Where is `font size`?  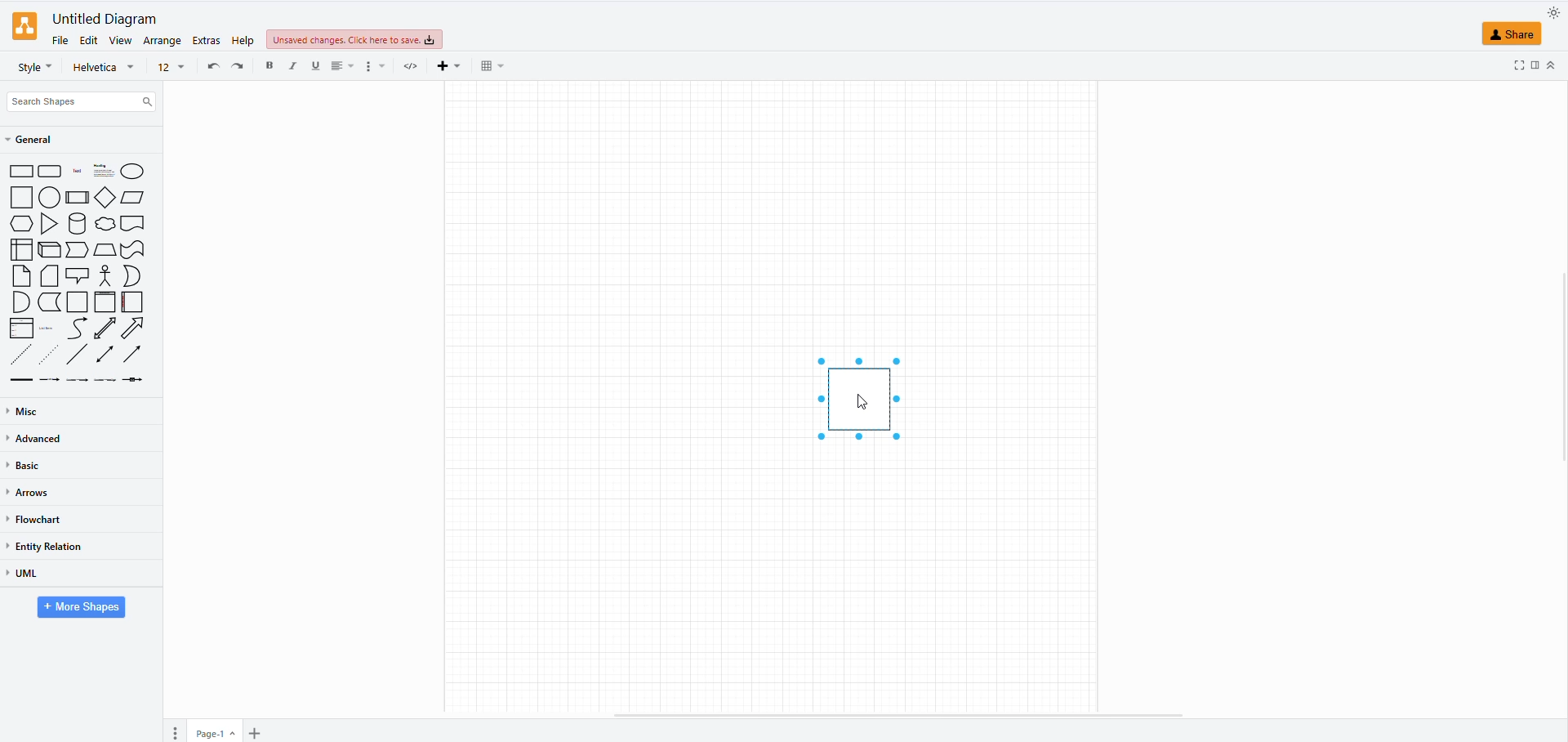
font size is located at coordinates (171, 68).